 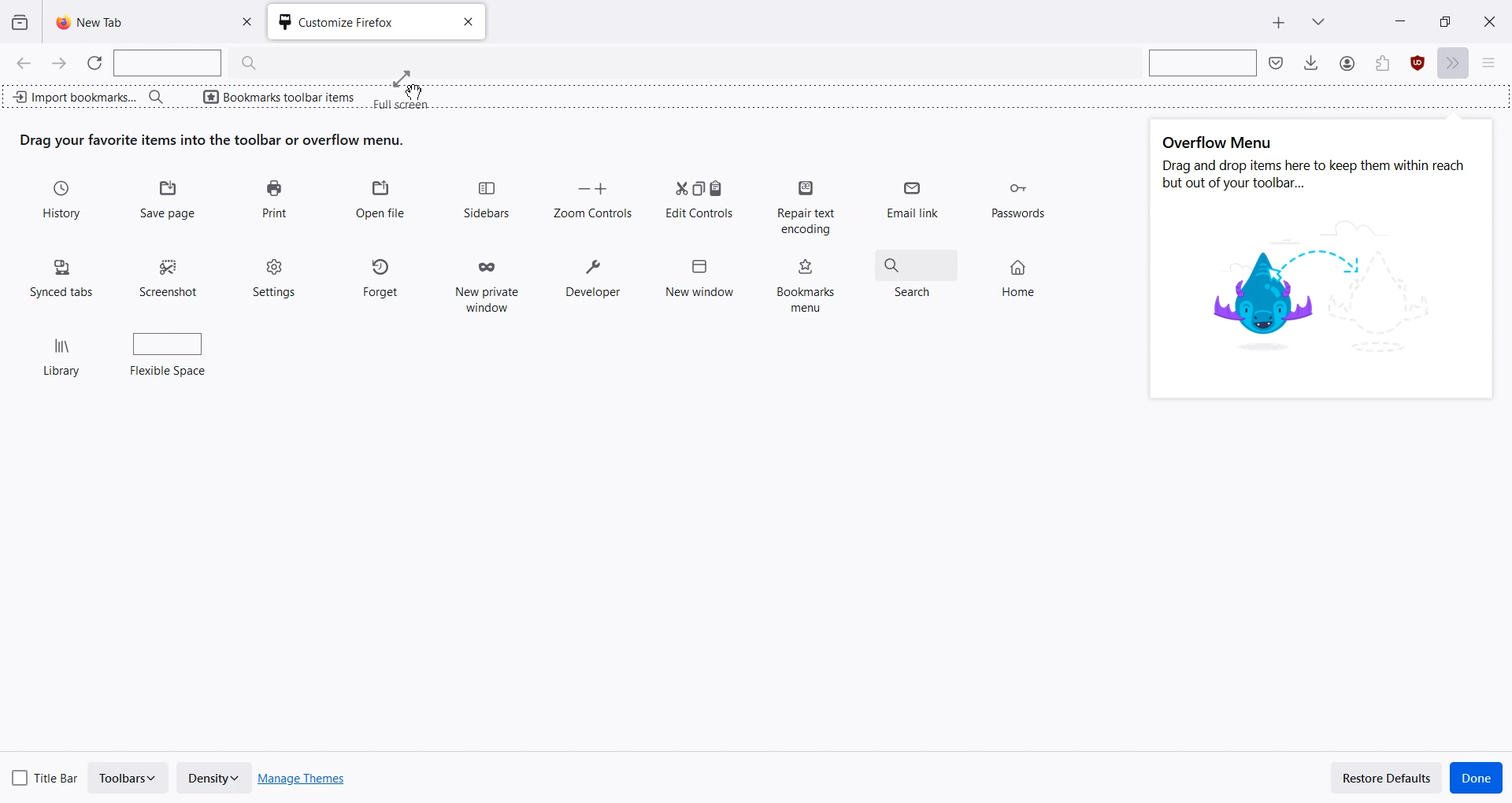 What do you see at coordinates (699, 198) in the screenshot?
I see `Edit Controls` at bounding box center [699, 198].